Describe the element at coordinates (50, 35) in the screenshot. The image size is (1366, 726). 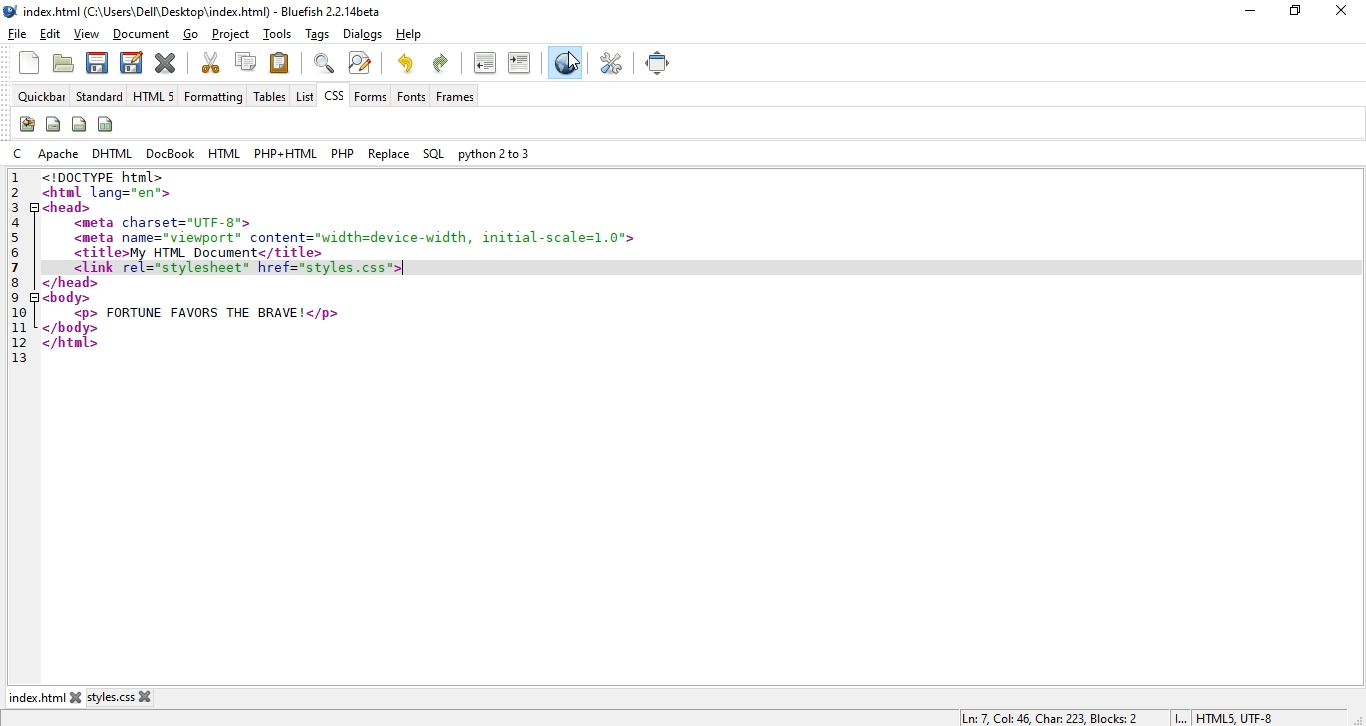
I see `edit` at that location.